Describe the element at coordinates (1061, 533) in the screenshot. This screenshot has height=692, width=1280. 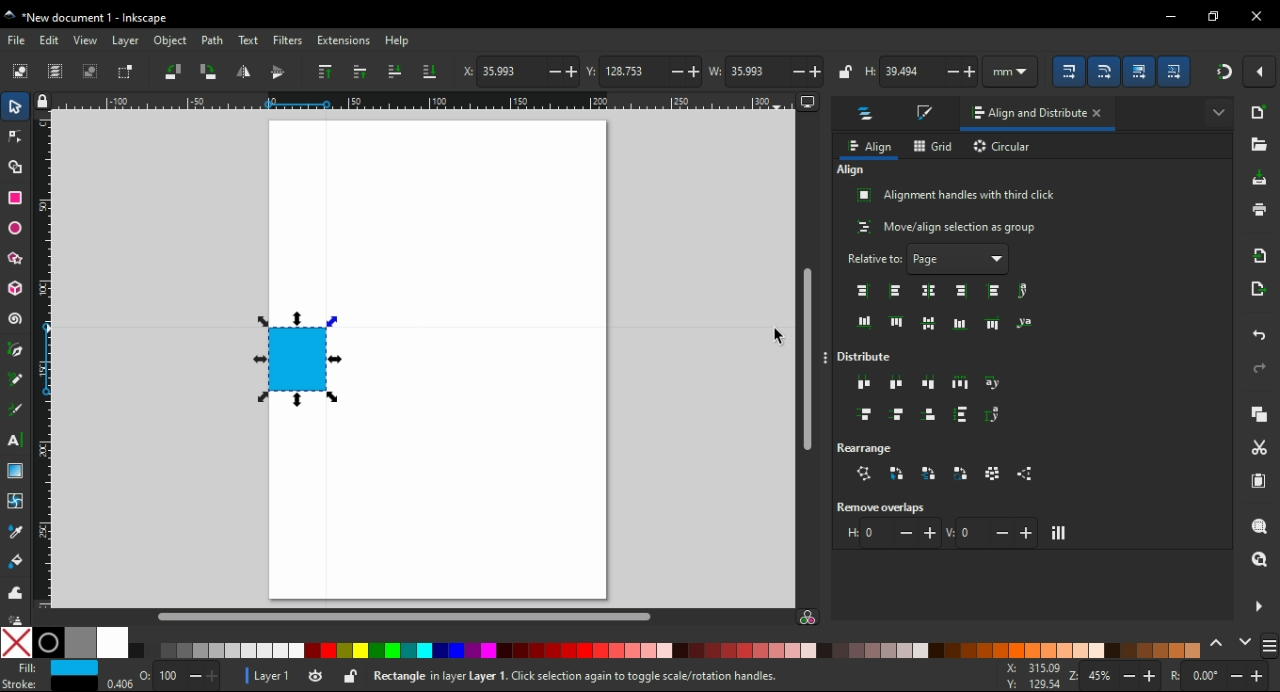
I see `move objects as little as possible so that their bounding boxes do not overlap` at that location.